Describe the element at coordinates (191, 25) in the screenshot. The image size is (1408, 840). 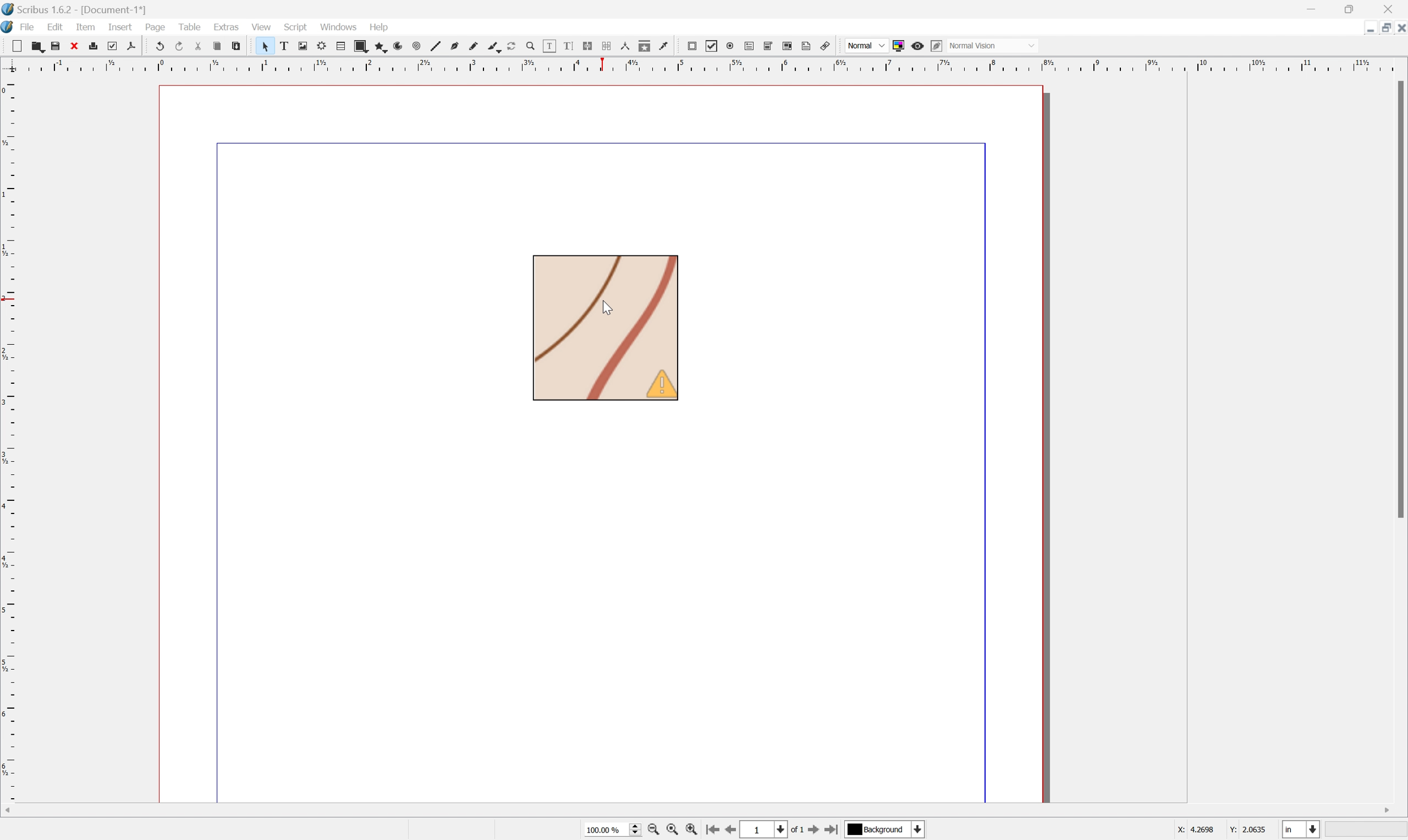
I see `Table` at that location.